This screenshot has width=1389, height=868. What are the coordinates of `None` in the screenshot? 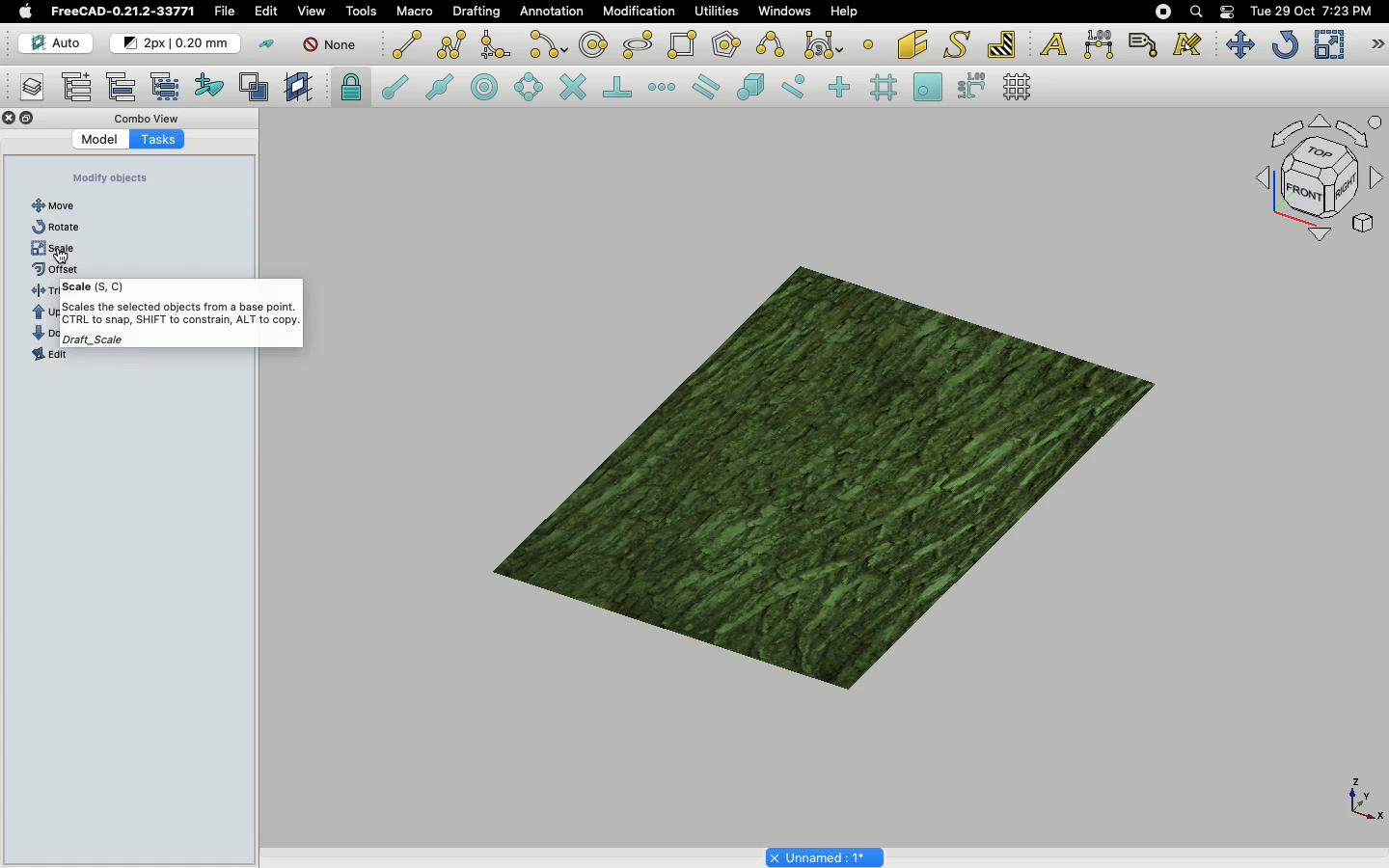 It's located at (329, 46).